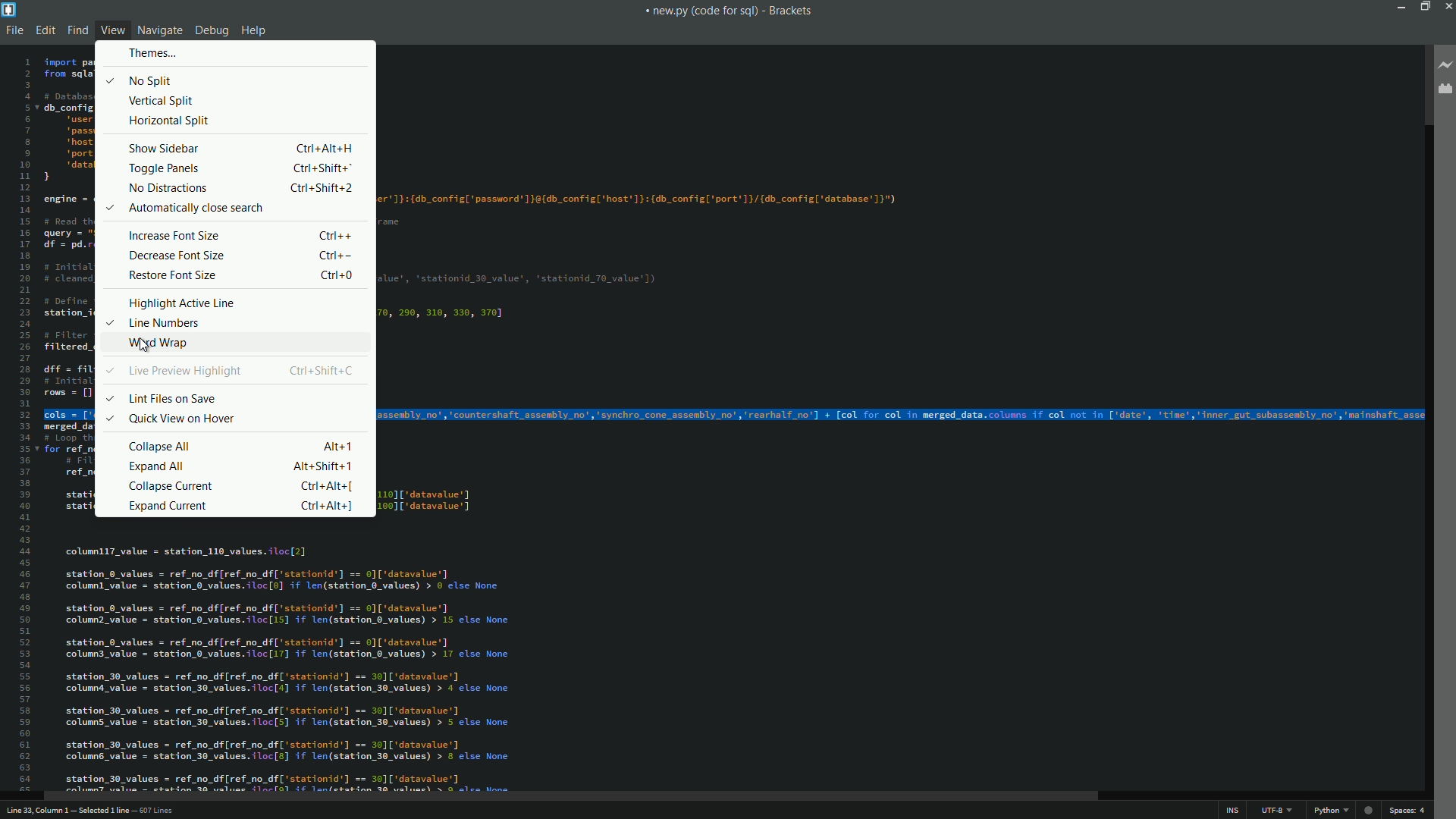 The height and width of the screenshot is (819, 1456). Describe the element at coordinates (15, 30) in the screenshot. I see `file menu` at that location.